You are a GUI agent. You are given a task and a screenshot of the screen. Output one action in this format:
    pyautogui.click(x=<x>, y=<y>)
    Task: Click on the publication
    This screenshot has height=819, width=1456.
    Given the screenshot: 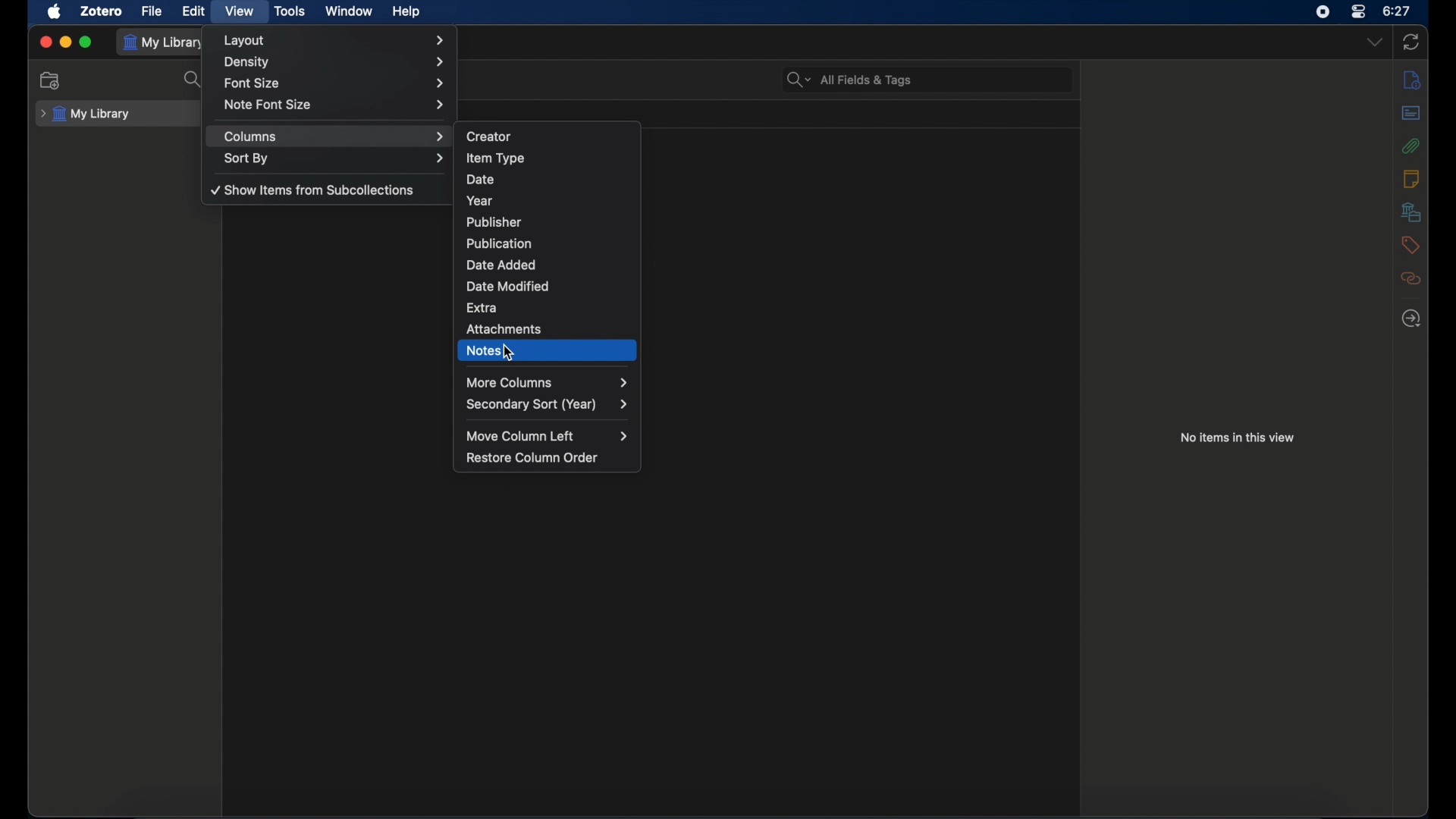 What is the action you would take?
    pyautogui.click(x=499, y=243)
    